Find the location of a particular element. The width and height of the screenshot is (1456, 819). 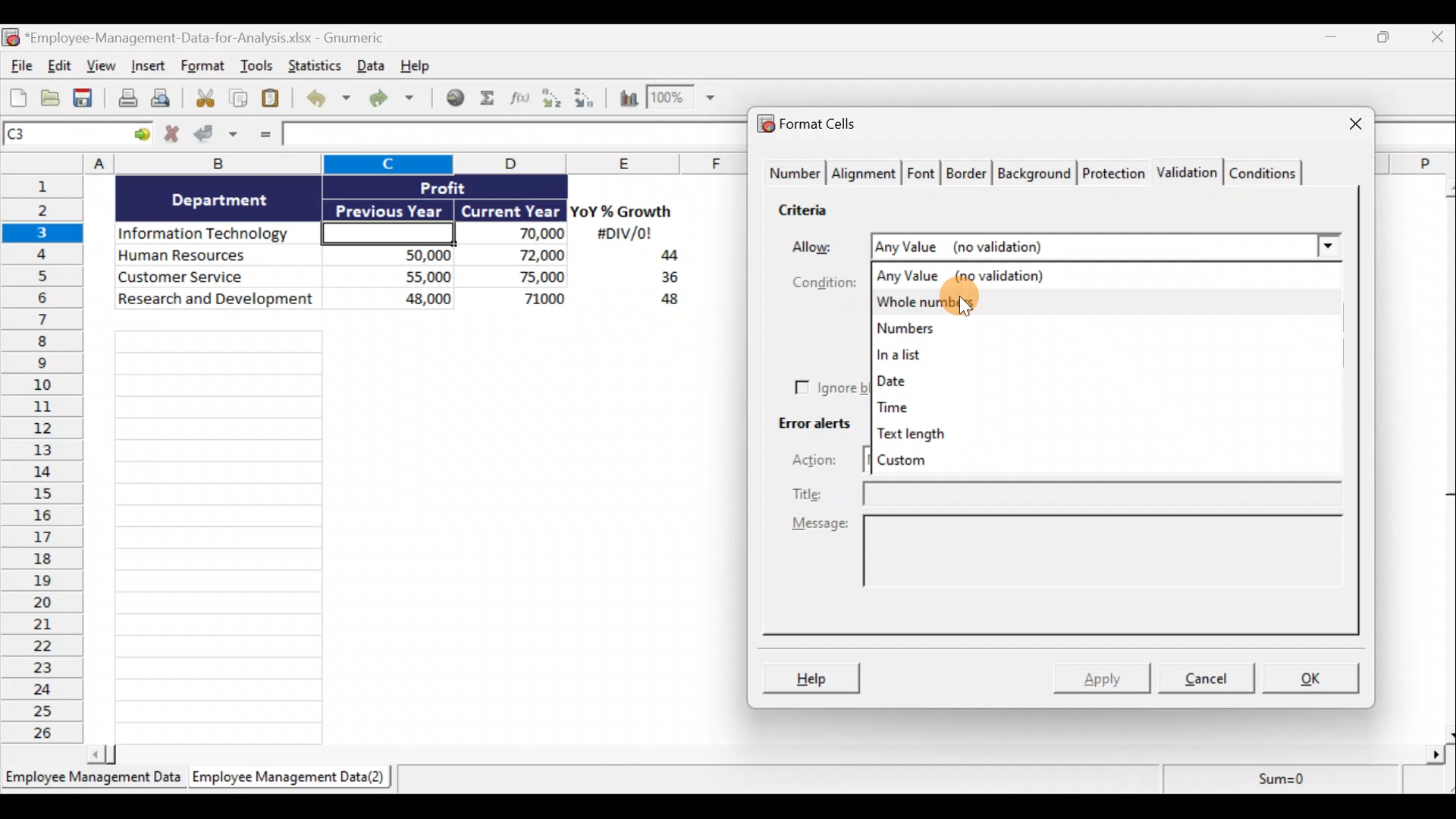

Scroll bar is located at coordinates (771, 752).